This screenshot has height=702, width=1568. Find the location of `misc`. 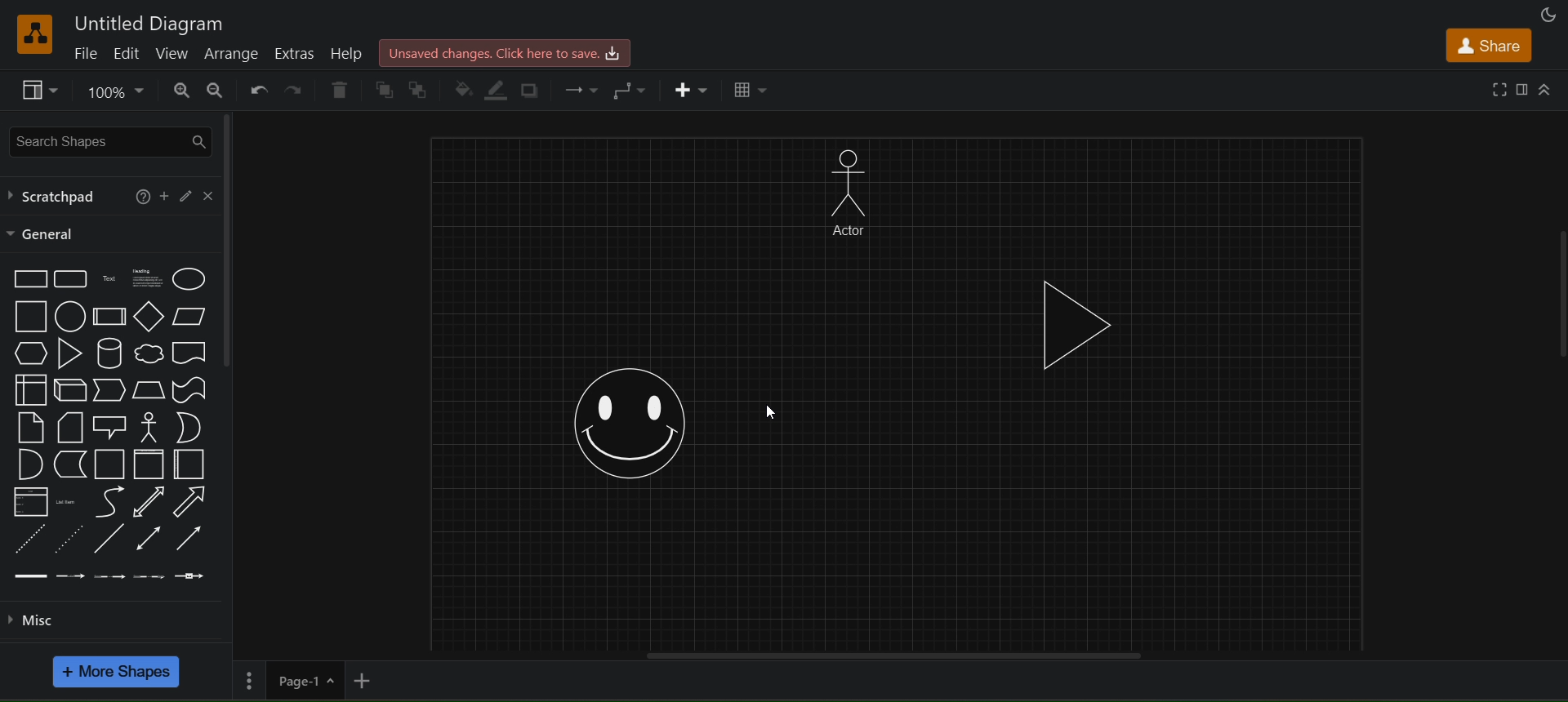

misc is located at coordinates (35, 619).